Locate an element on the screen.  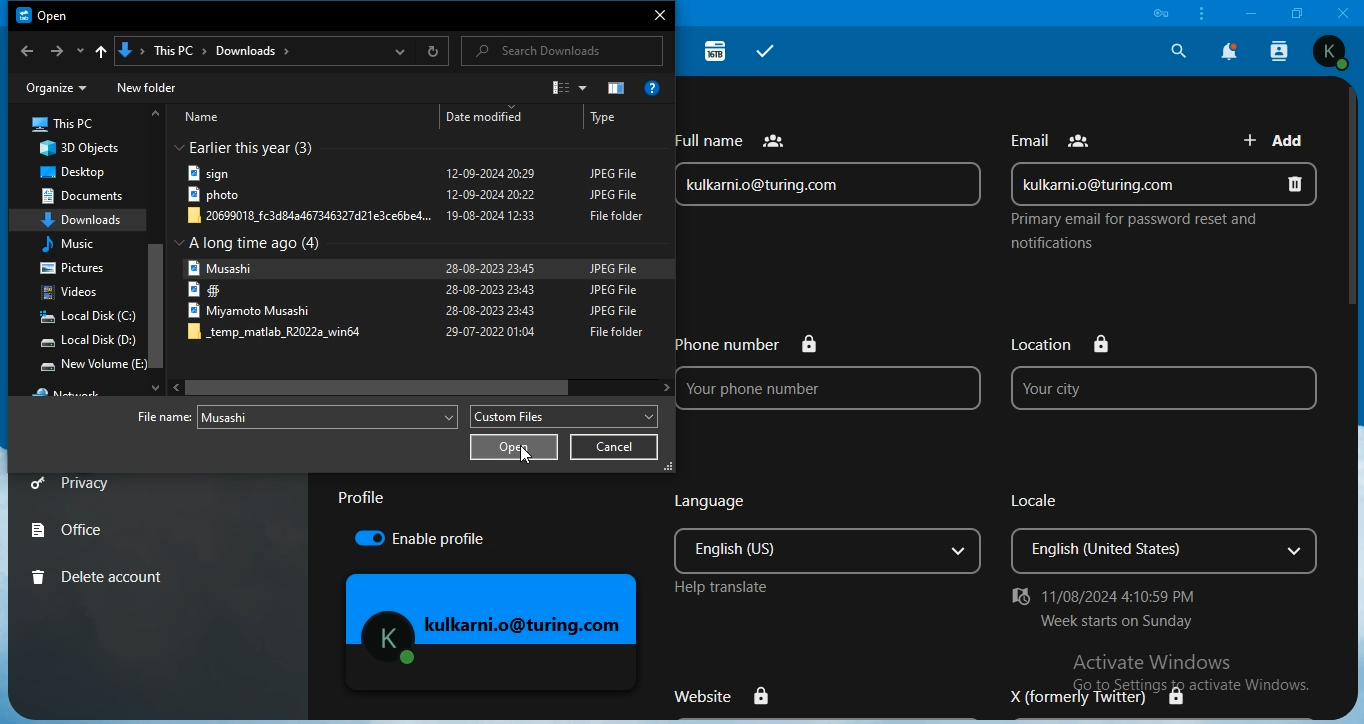
email is located at coordinates (1165, 181).